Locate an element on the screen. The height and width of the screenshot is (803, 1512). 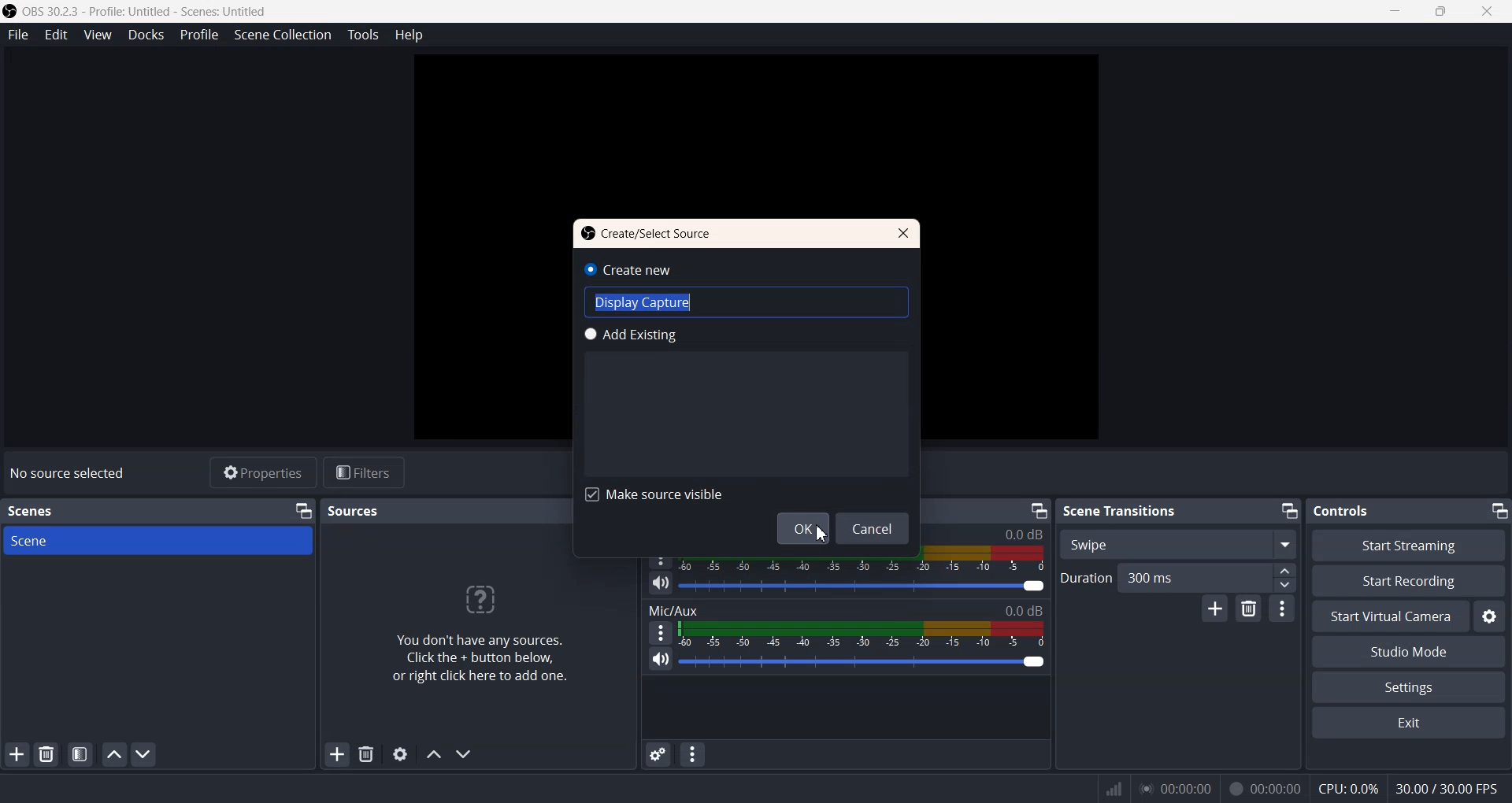
Help is located at coordinates (409, 35).